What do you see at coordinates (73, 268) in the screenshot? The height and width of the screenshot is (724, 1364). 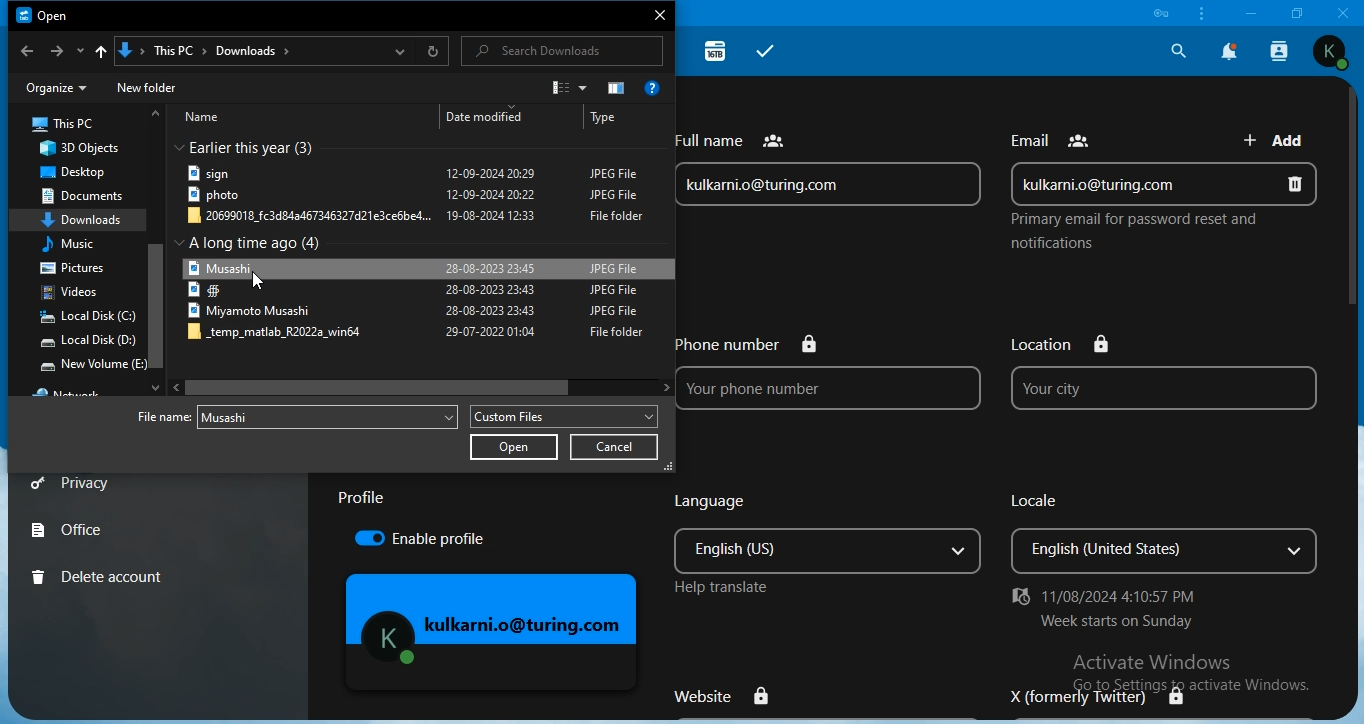 I see `pictures` at bounding box center [73, 268].